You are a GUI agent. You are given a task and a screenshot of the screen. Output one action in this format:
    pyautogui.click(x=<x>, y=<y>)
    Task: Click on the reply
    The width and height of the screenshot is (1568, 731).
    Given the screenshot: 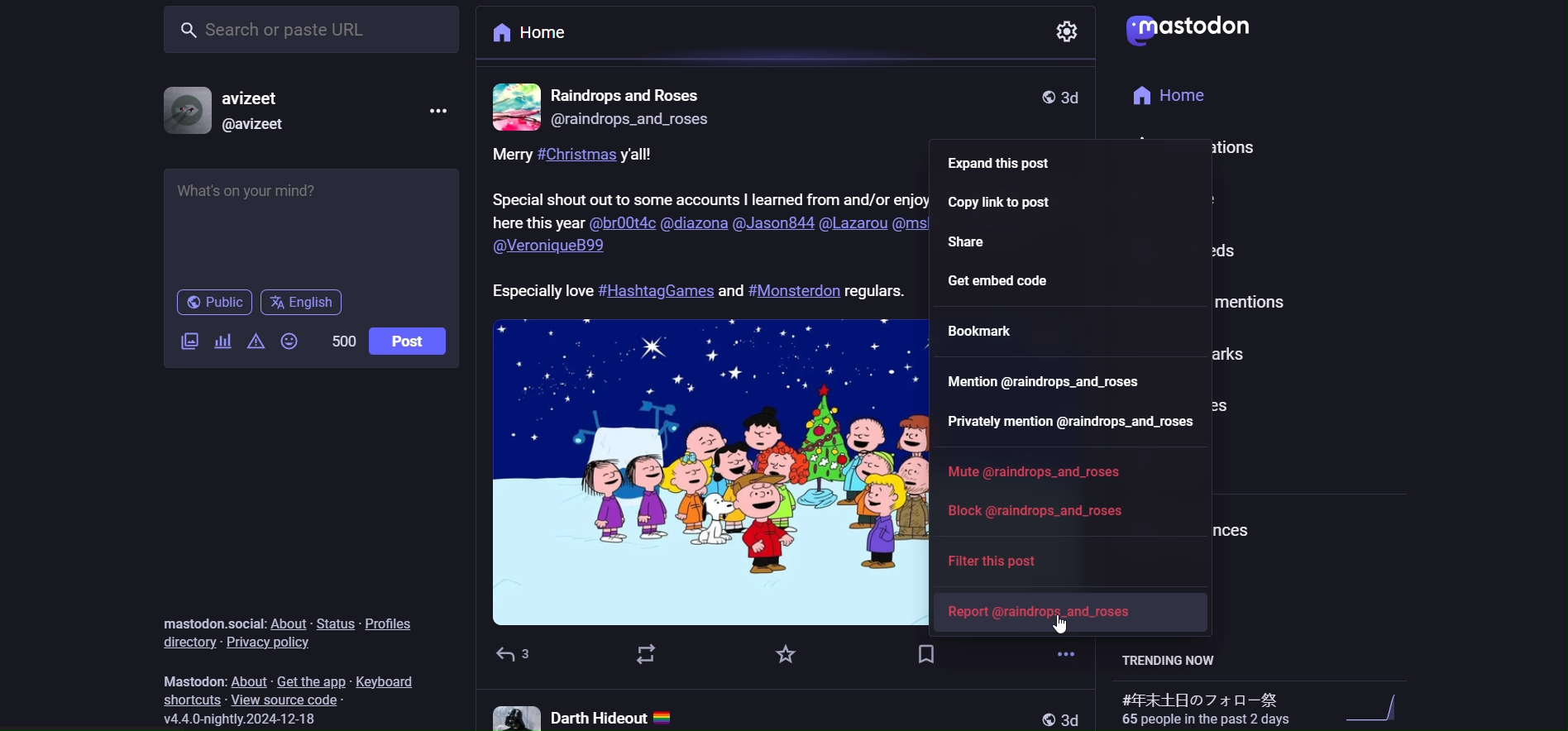 What is the action you would take?
    pyautogui.click(x=513, y=655)
    